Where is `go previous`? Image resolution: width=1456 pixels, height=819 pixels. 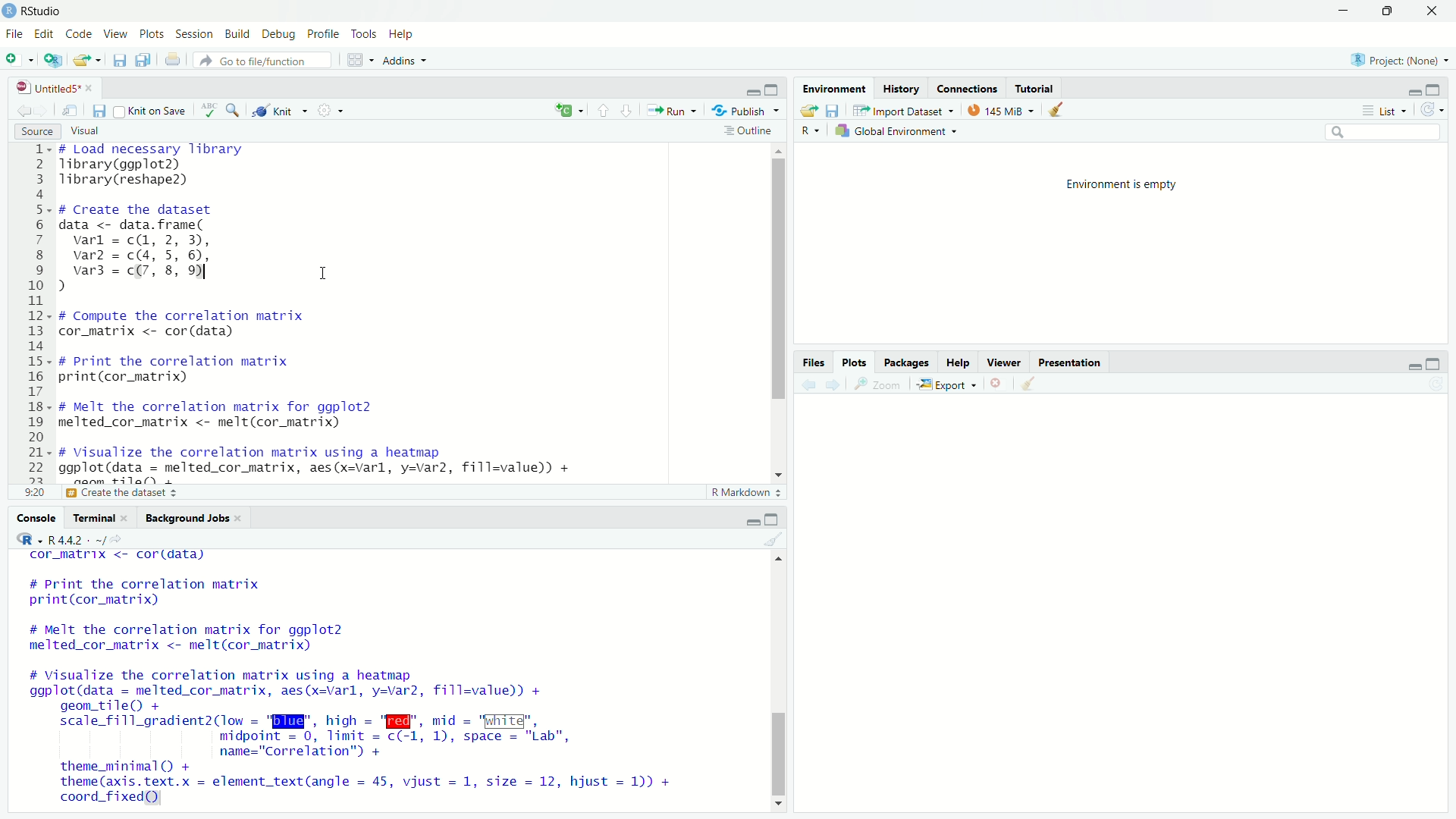
go previous is located at coordinates (24, 109).